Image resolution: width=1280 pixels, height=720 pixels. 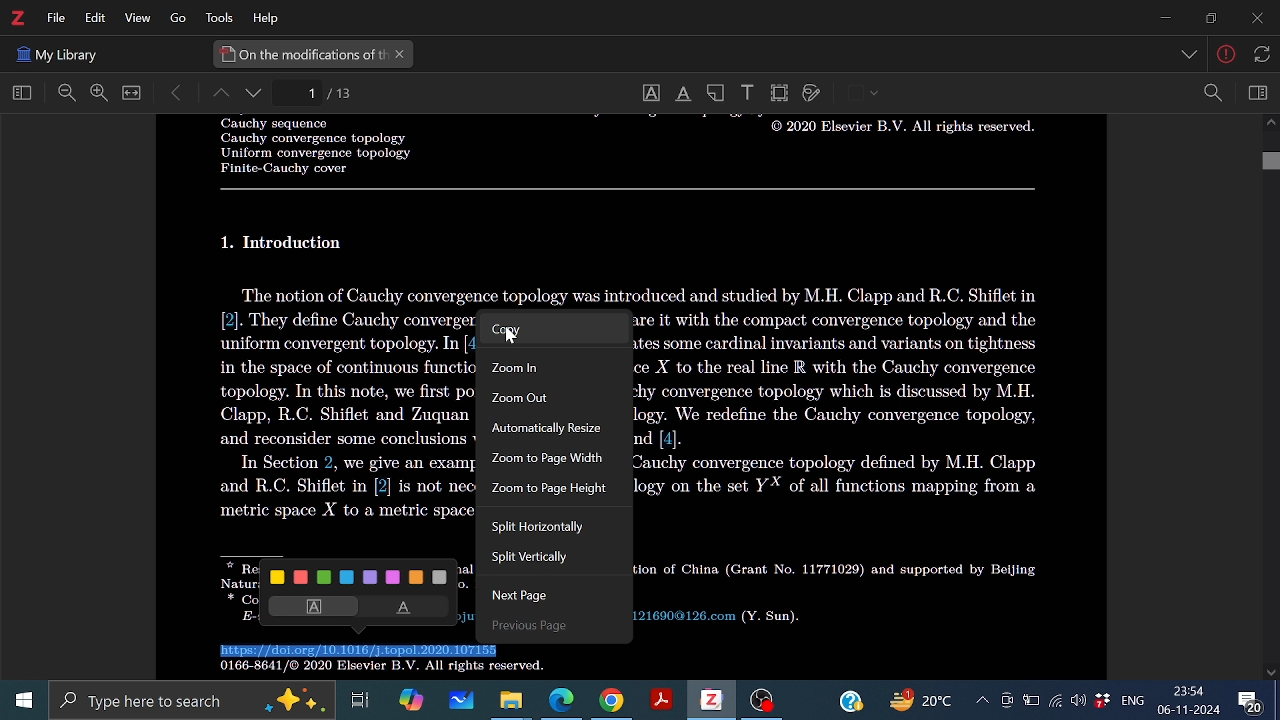 I want to click on , so click(x=57, y=52).